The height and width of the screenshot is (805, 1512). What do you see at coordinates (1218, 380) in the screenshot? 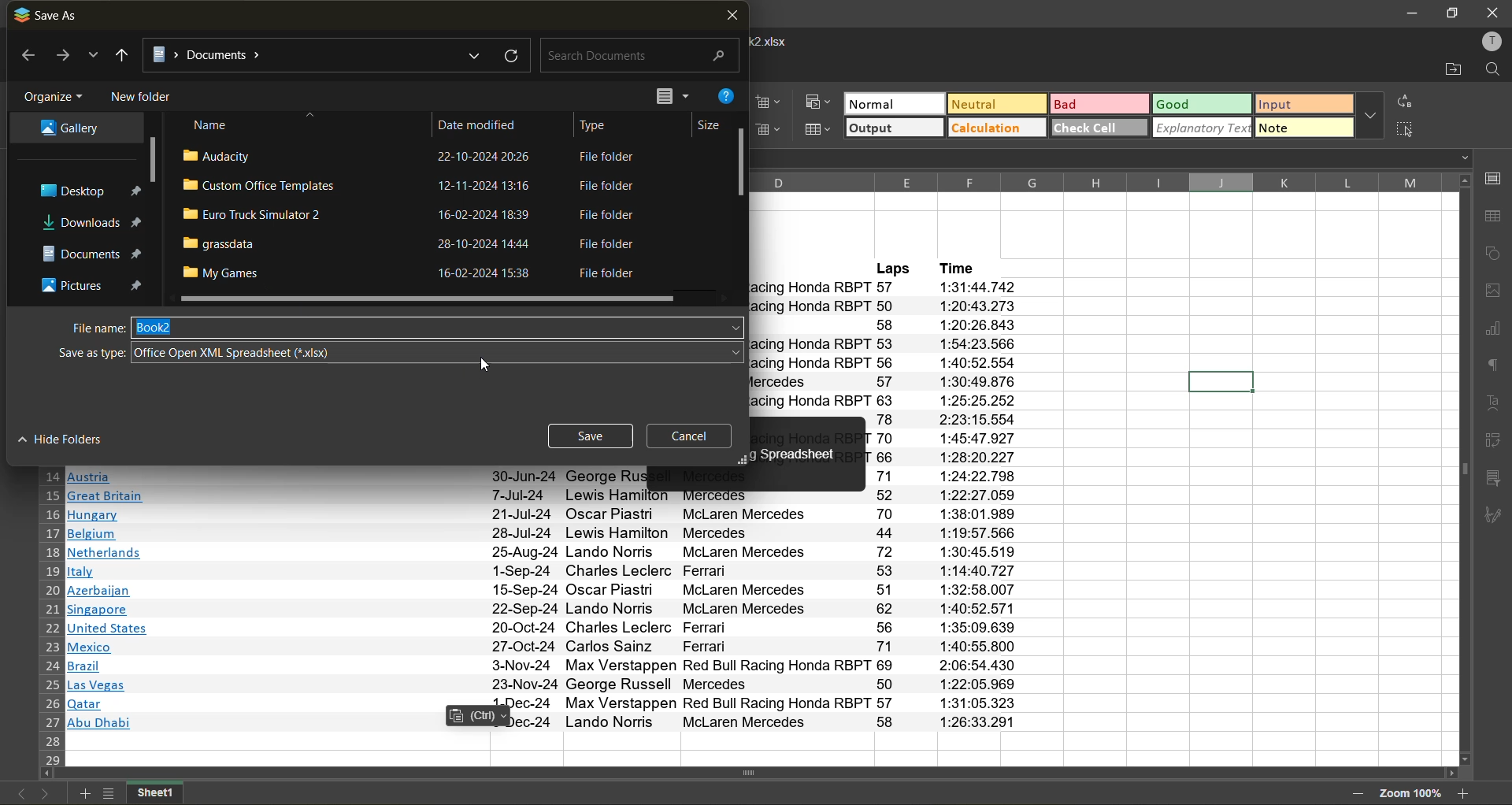
I see `current cell` at bounding box center [1218, 380].